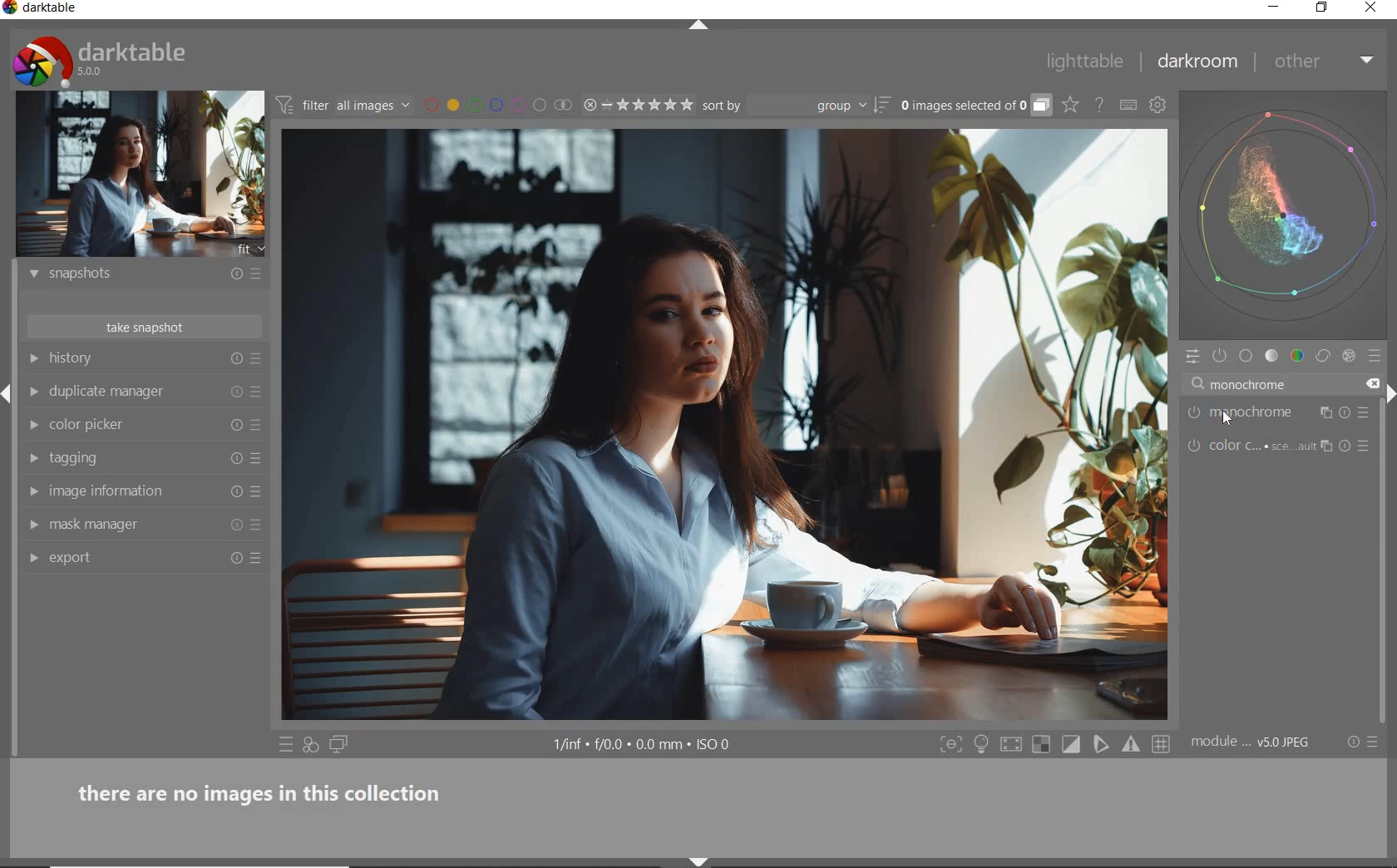 The height and width of the screenshot is (868, 1397). I want to click on preset and preferences, so click(259, 558).